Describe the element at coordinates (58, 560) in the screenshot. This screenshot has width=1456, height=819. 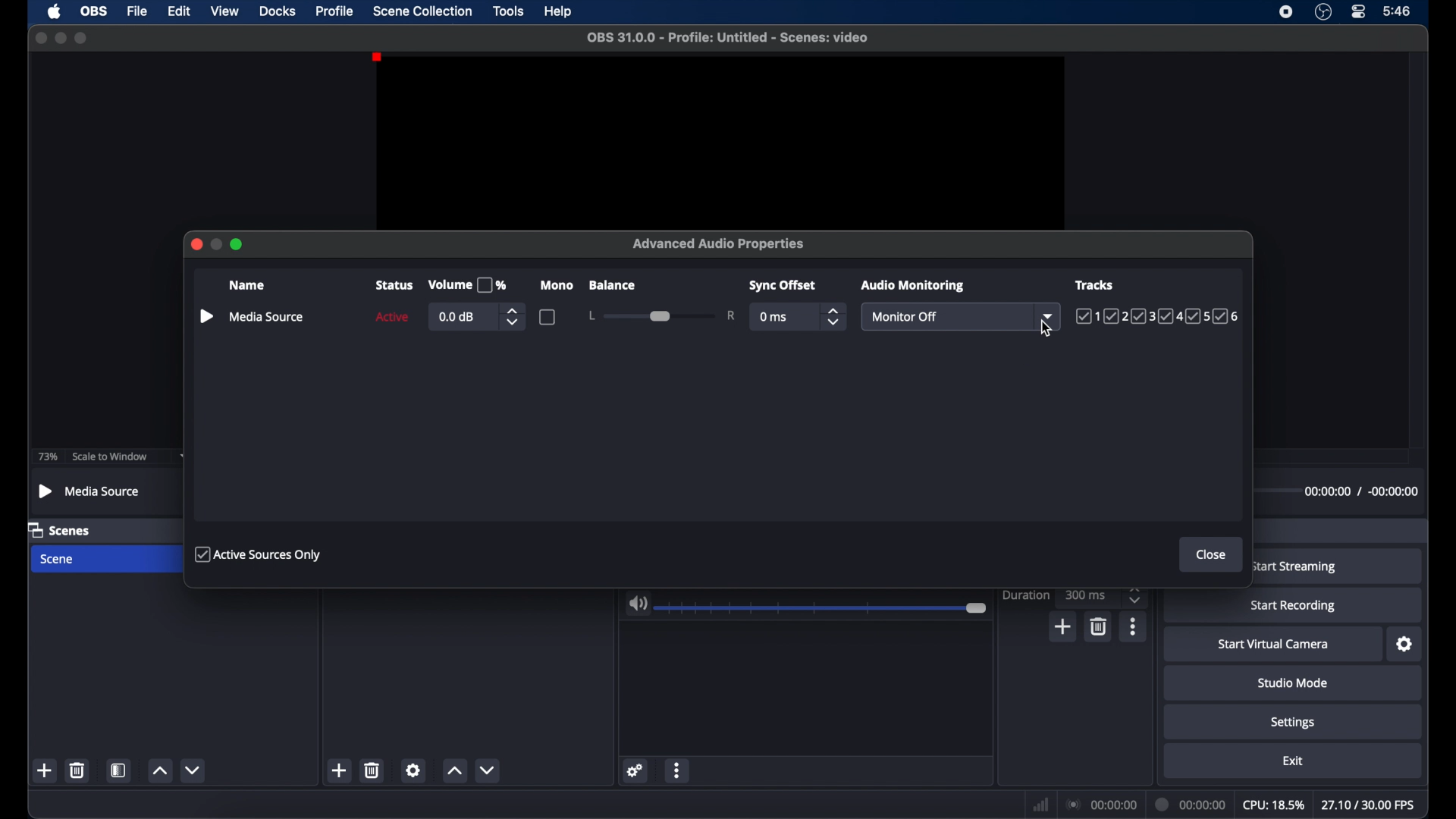
I see `scene` at that location.